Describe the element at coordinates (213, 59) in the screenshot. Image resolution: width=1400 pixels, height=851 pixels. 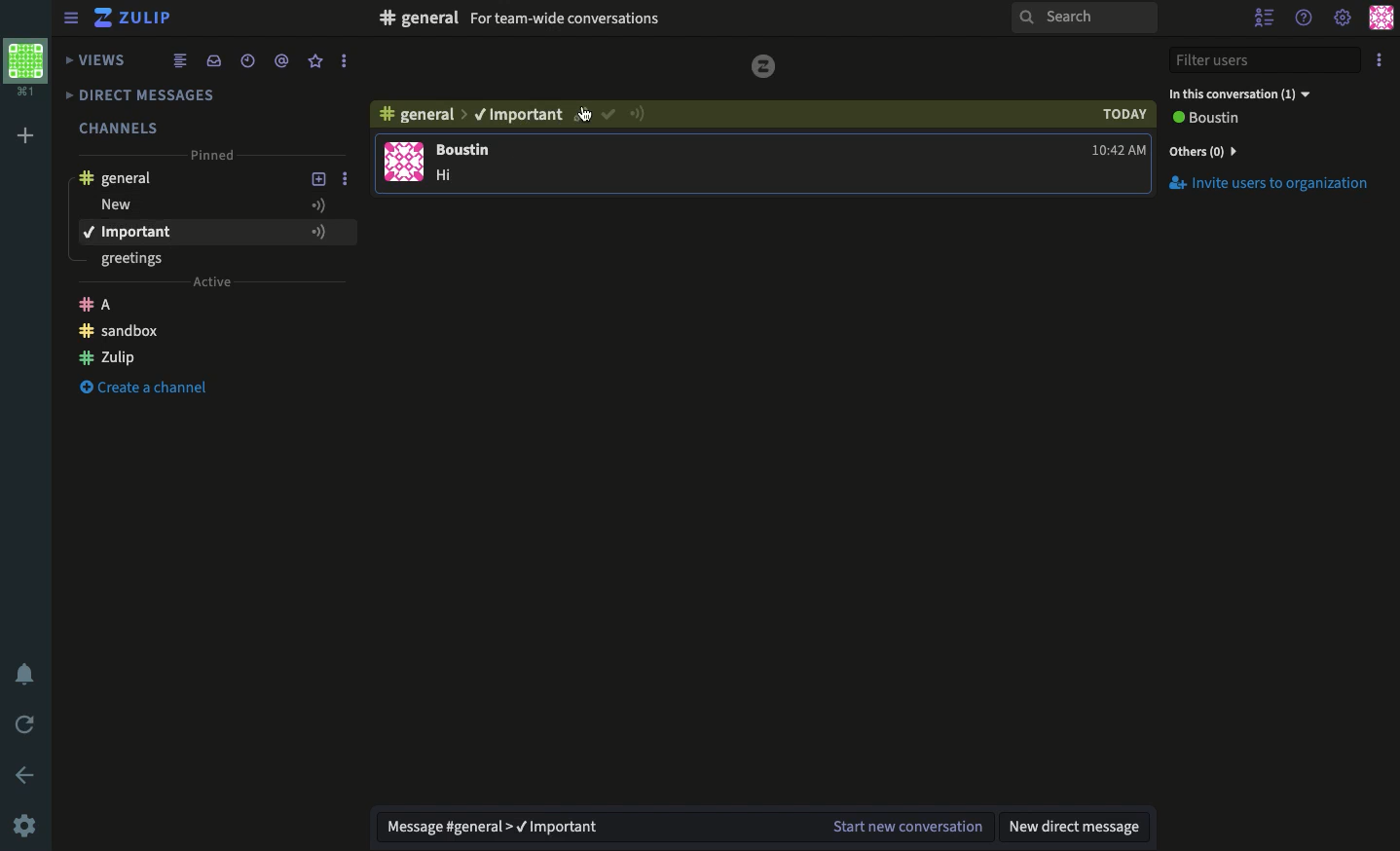
I see `Inbox` at that location.